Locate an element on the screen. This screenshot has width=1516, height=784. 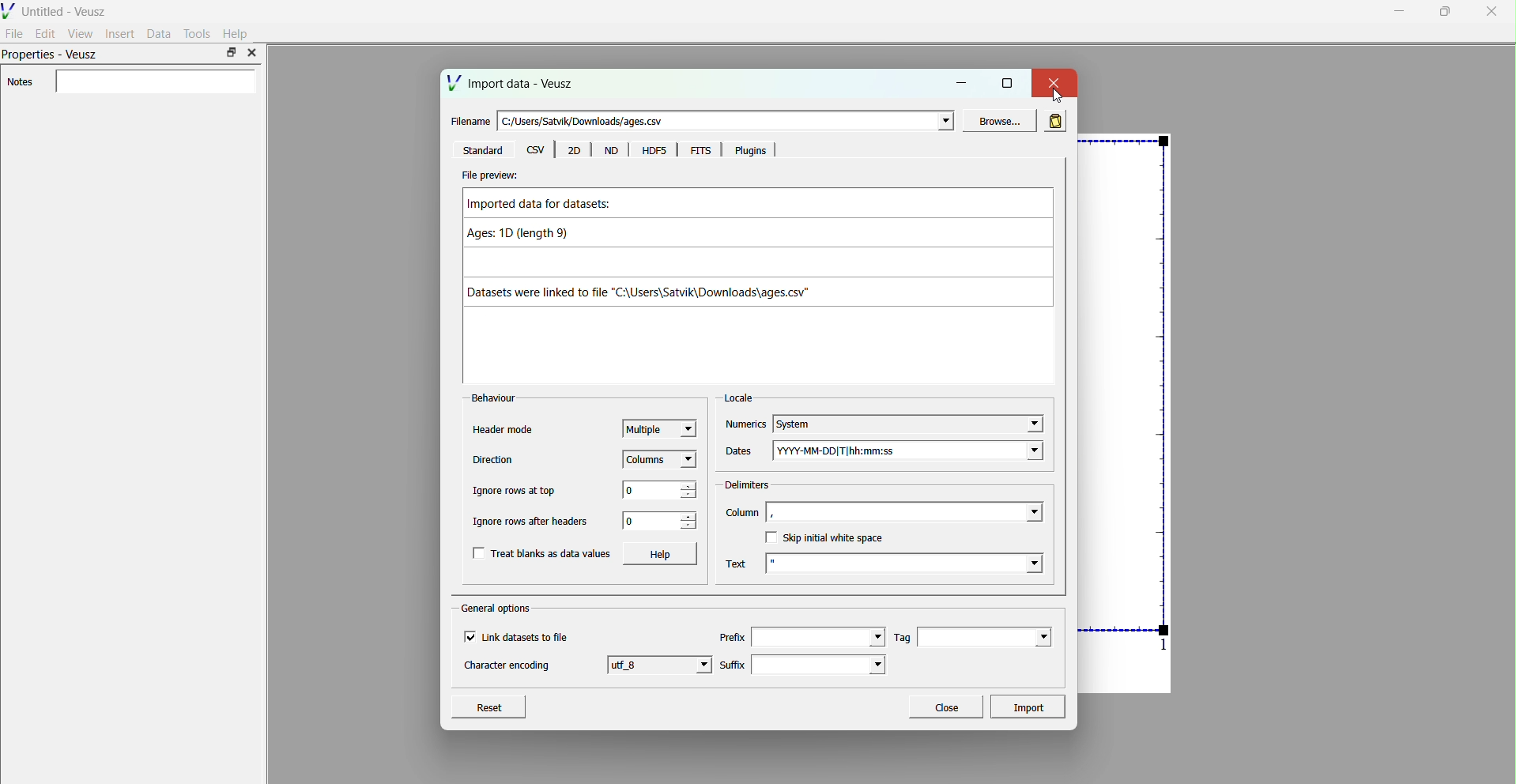
read in data from clipboard rather than in file is located at coordinates (1054, 119).